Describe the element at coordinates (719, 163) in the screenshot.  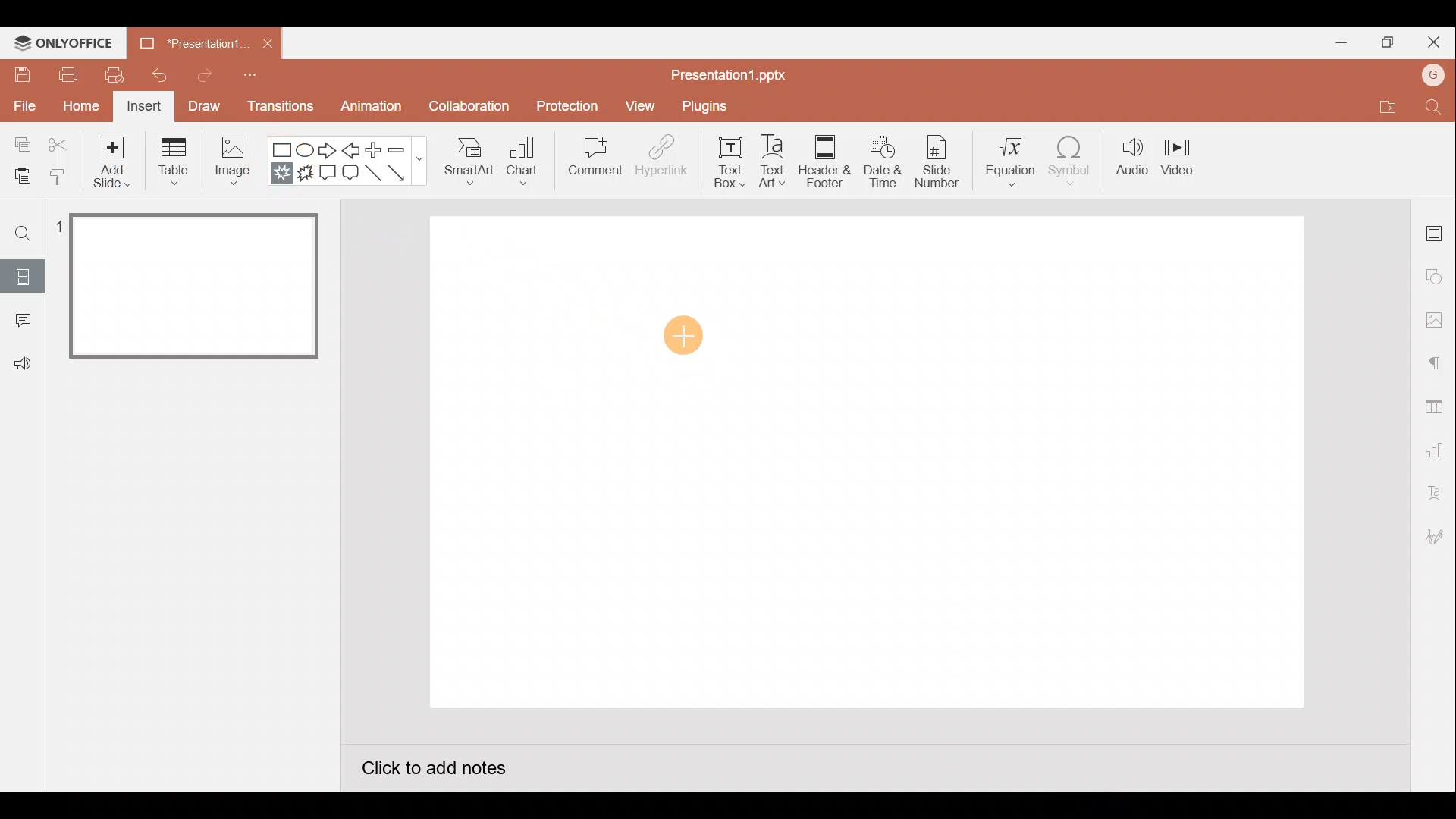
I see `Text box` at that location.